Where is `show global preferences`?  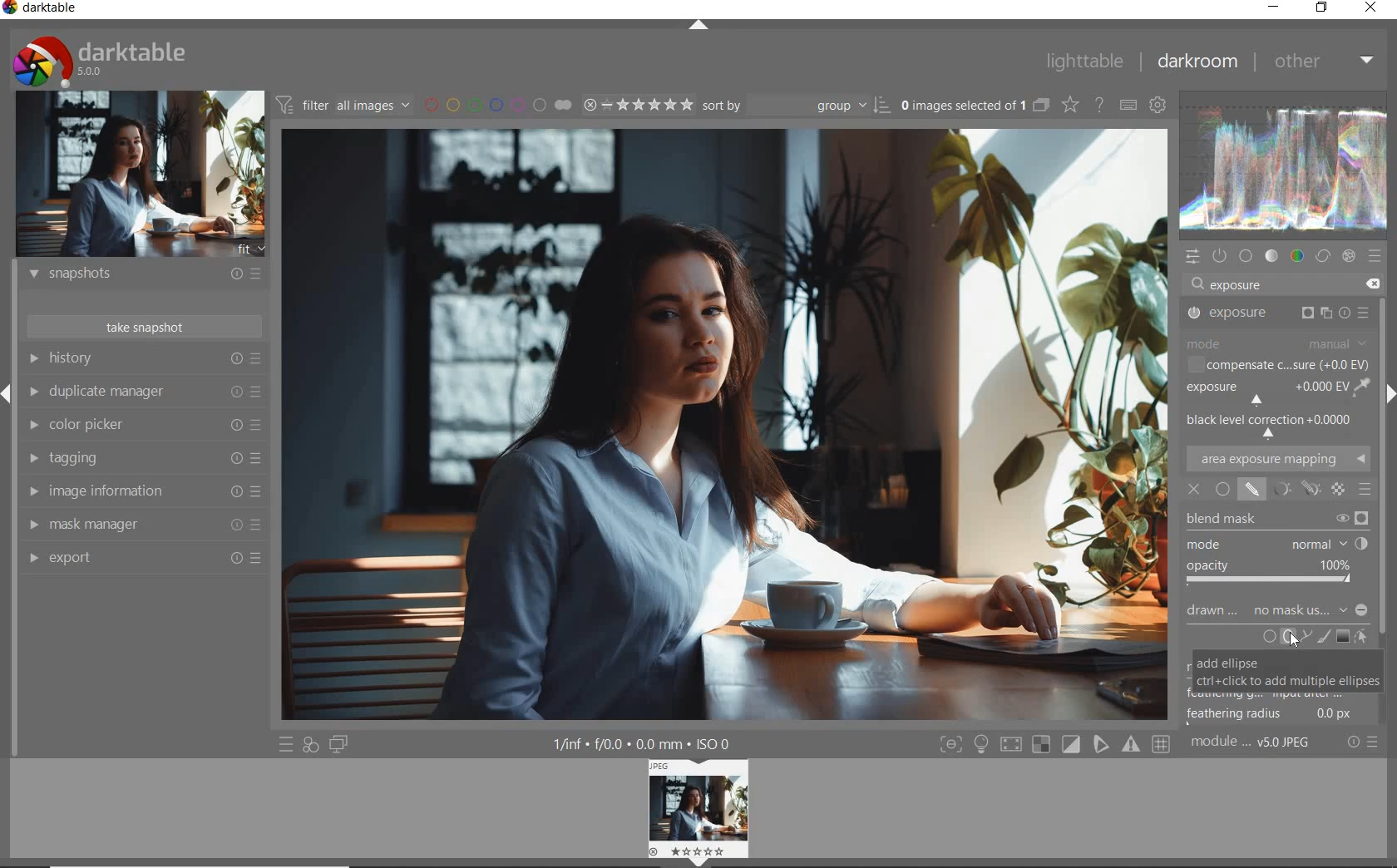
show global preferences is located at coordinates (1158, 104).